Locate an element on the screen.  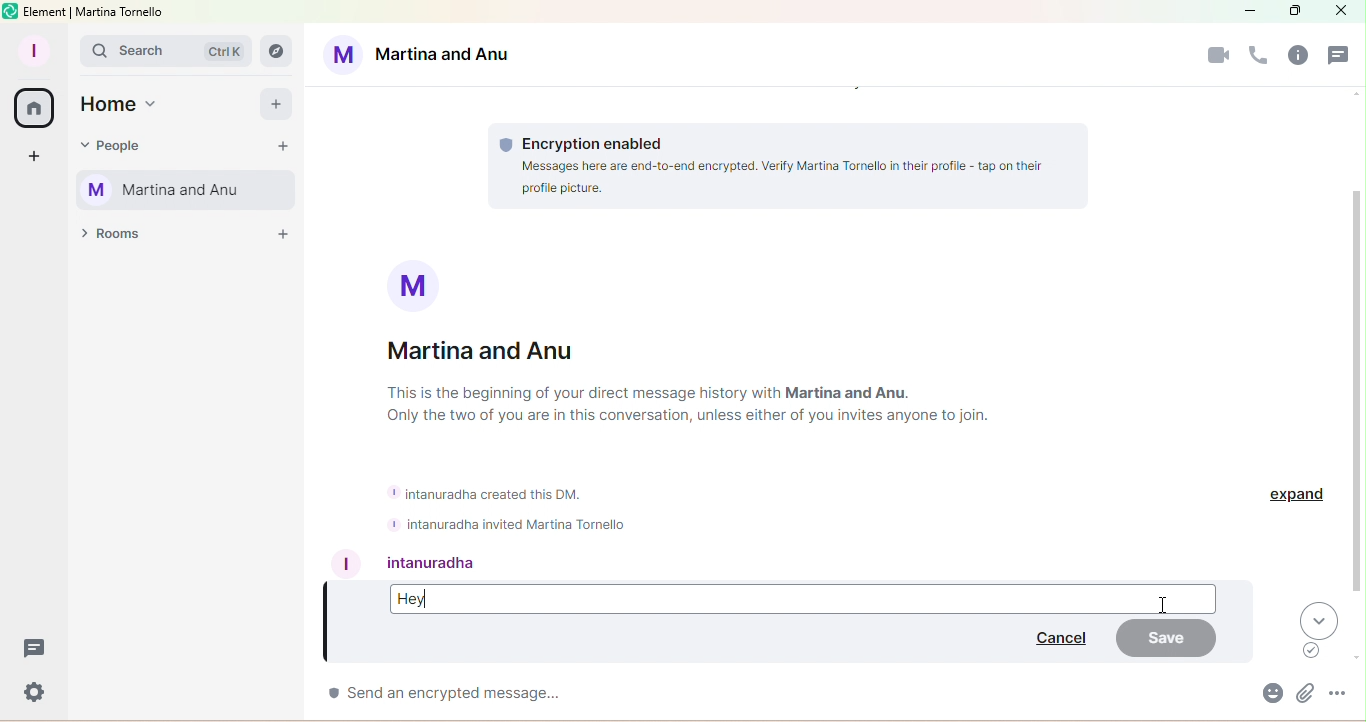
Grammarly is located at coordinates (1313, 651).